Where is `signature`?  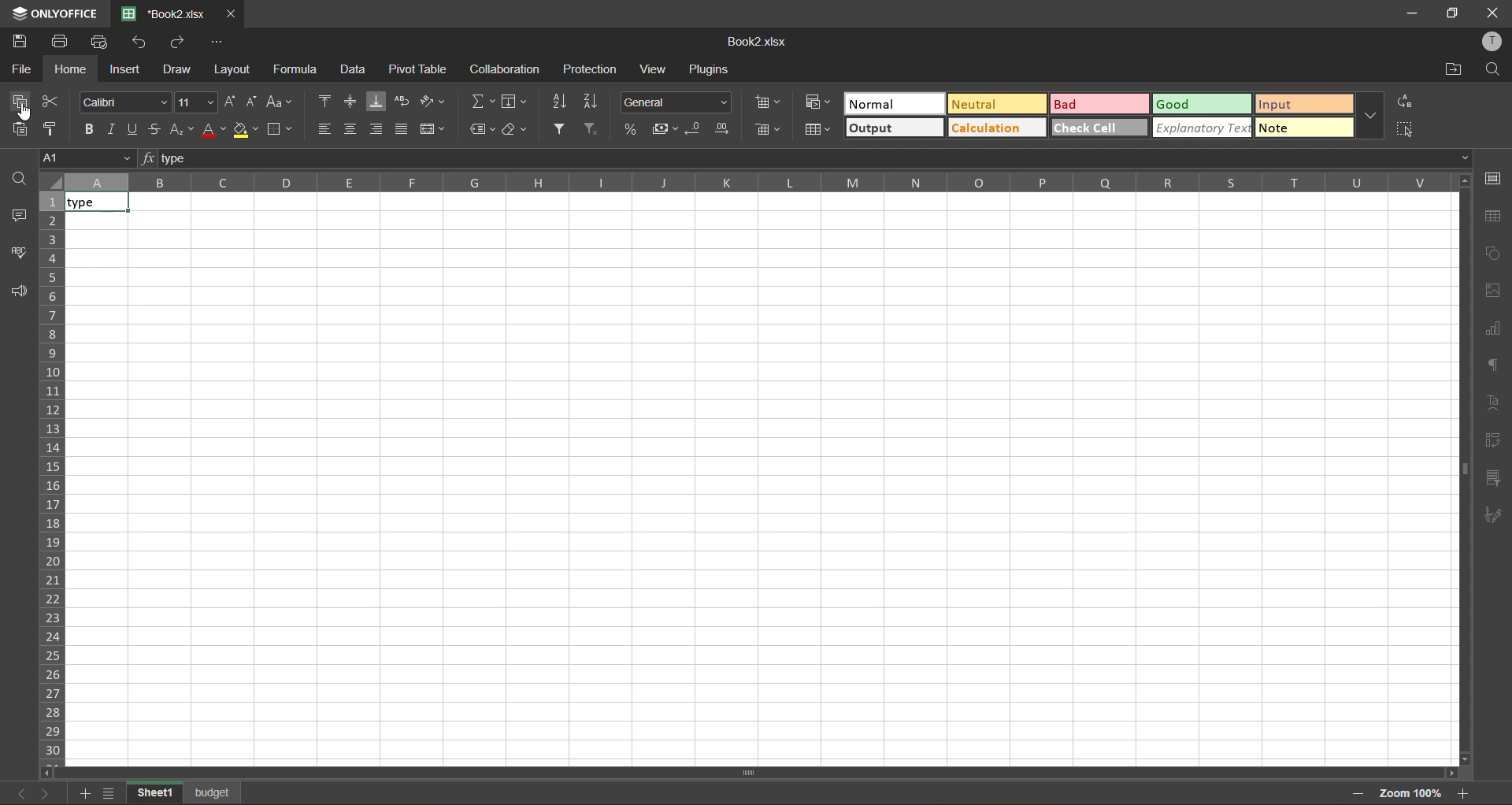
signature is located at coordinates (1492, 517).